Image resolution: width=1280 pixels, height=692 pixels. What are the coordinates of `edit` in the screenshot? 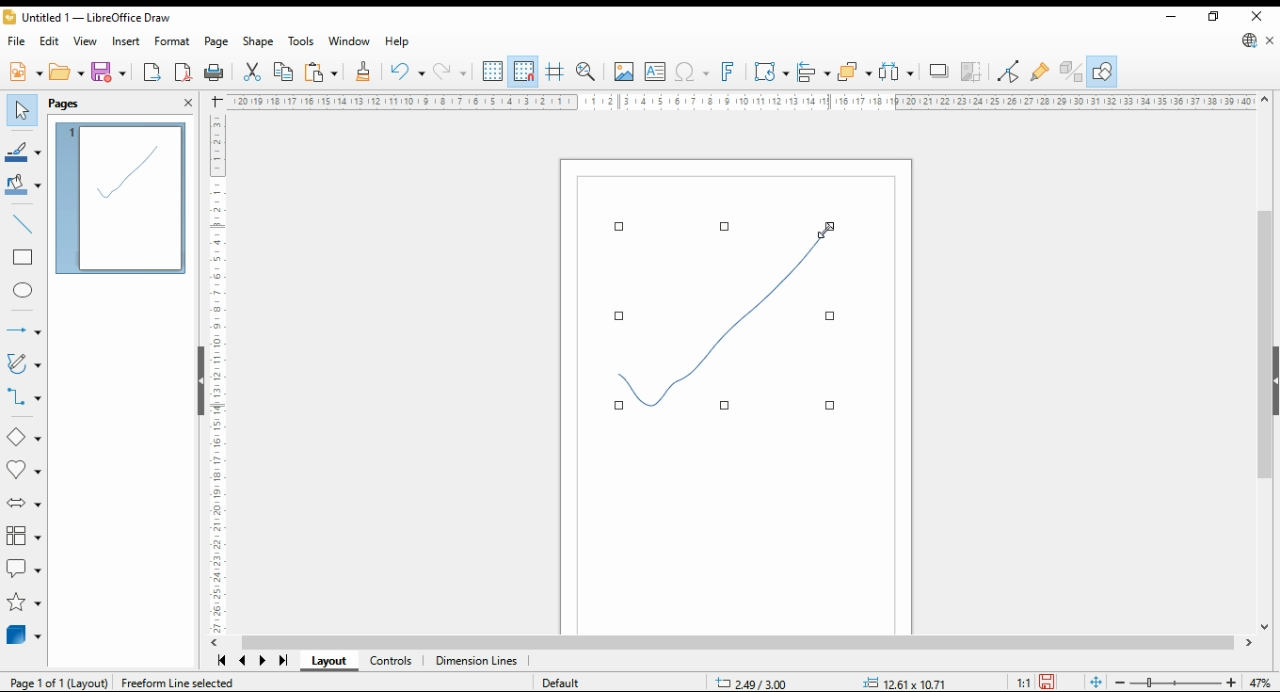 It's located at (50, 41).